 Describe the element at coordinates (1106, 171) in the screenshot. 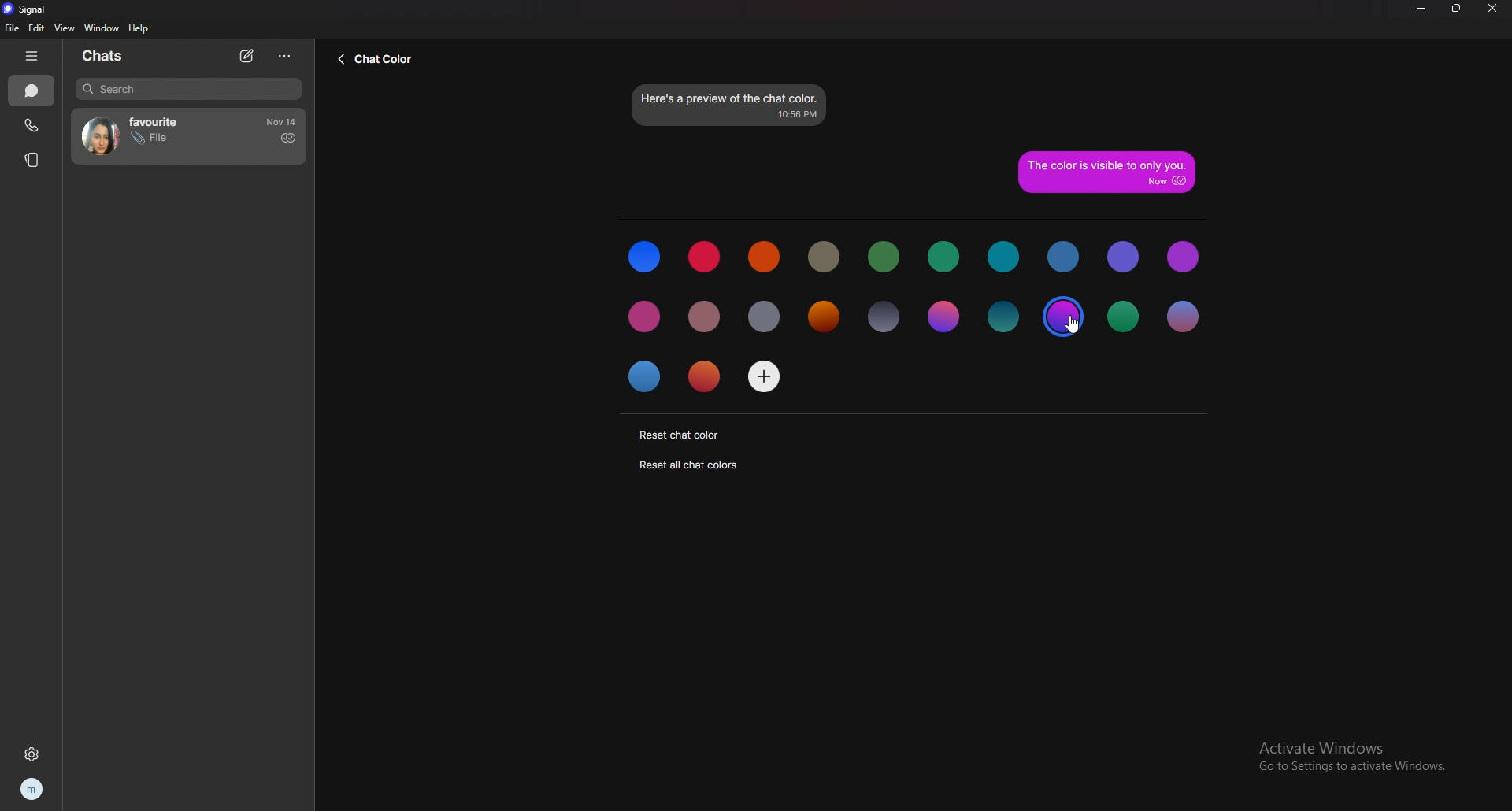

I see `preview text` at that location.